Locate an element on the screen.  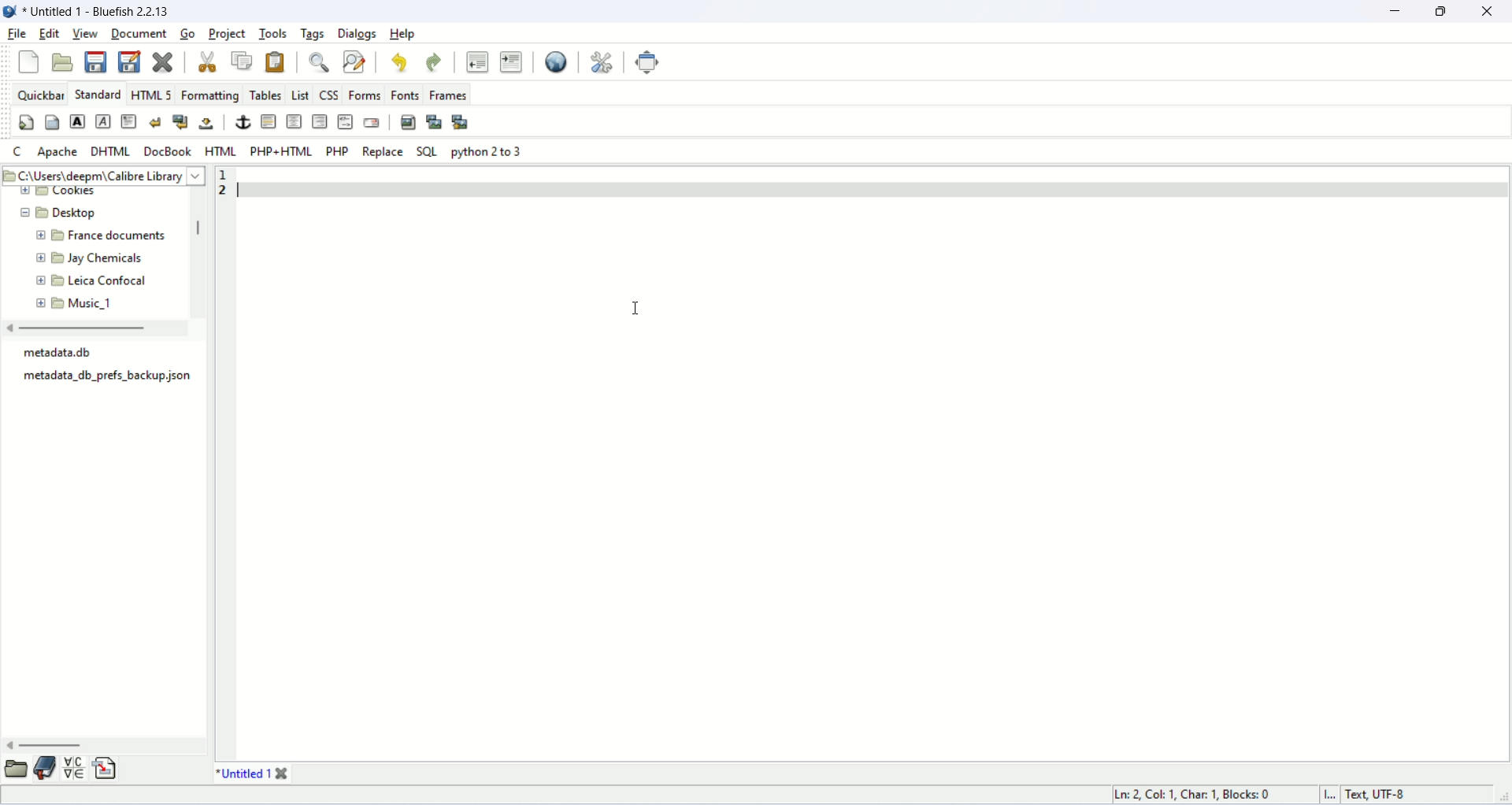
close is located at coordinates (283, 774).